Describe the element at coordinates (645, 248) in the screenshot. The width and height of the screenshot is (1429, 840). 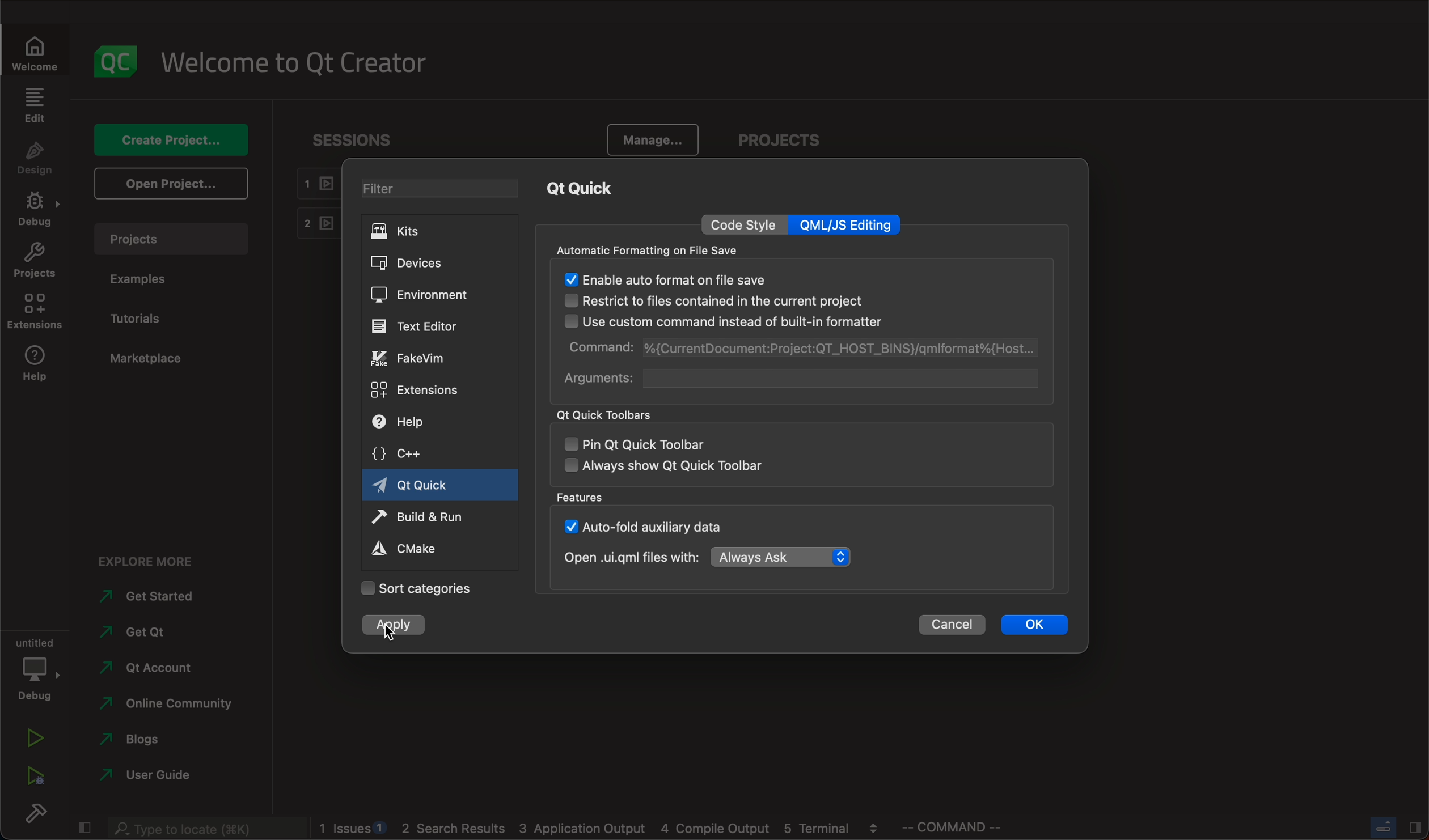
I see `automatic formatting` at that location.